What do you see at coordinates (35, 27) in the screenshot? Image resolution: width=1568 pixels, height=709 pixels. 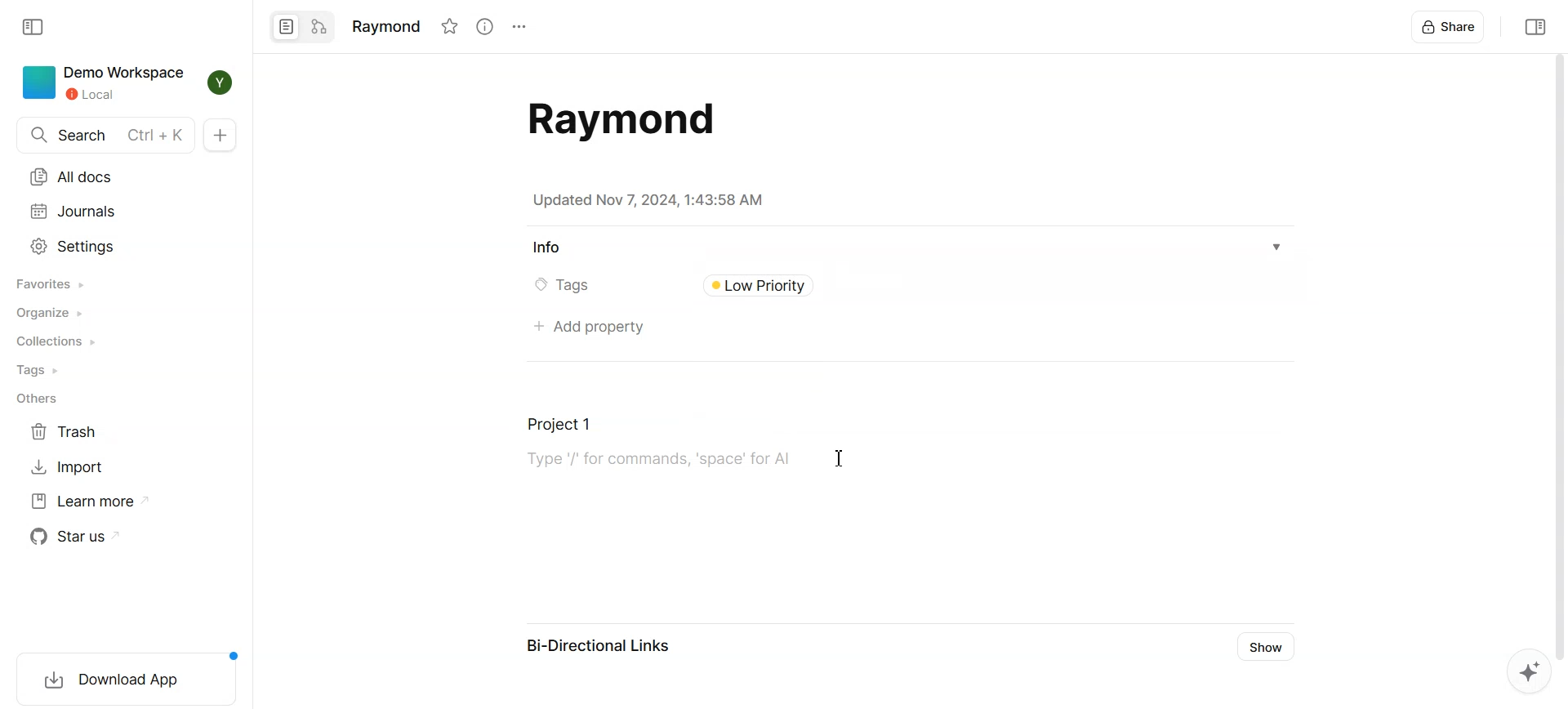 I see `Collapse Sidebar` at bounding box center [35, 27].